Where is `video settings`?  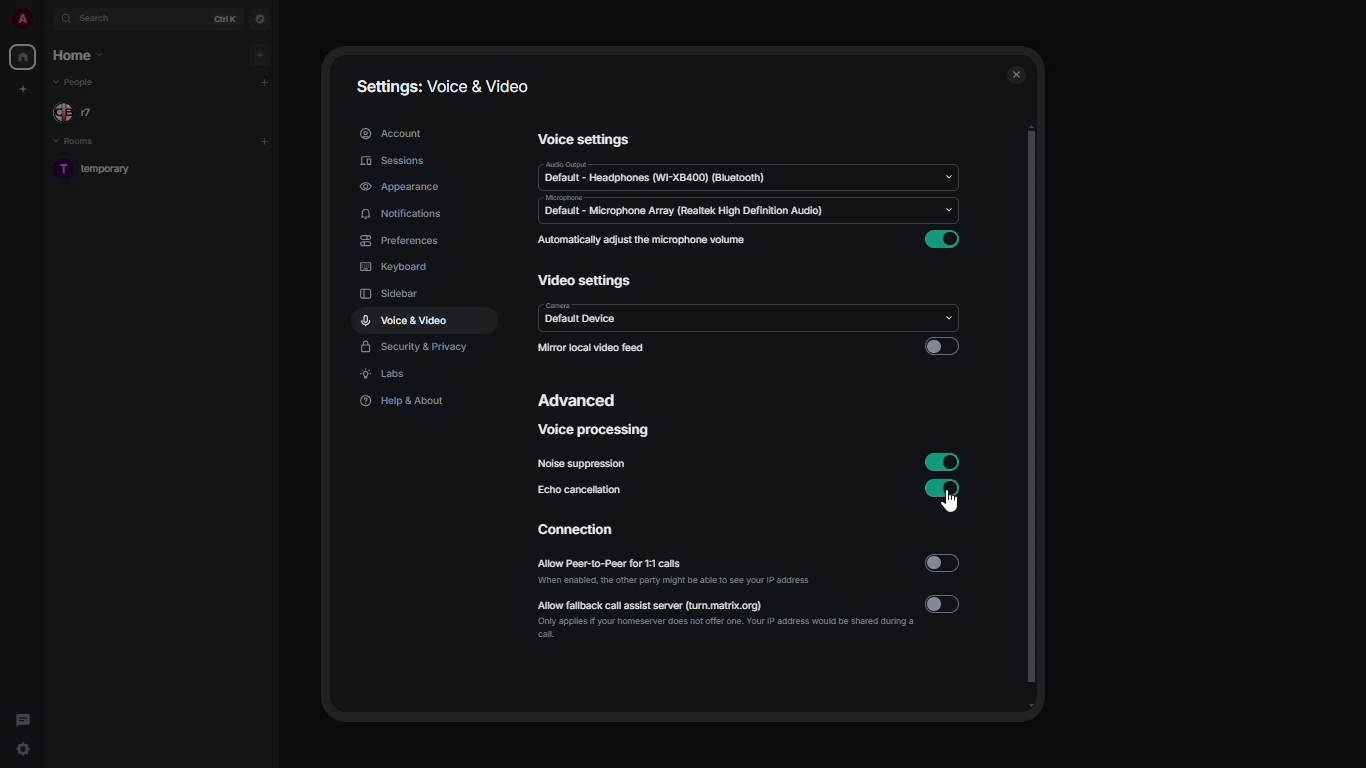
video settings is located at coordinates (588, 281).